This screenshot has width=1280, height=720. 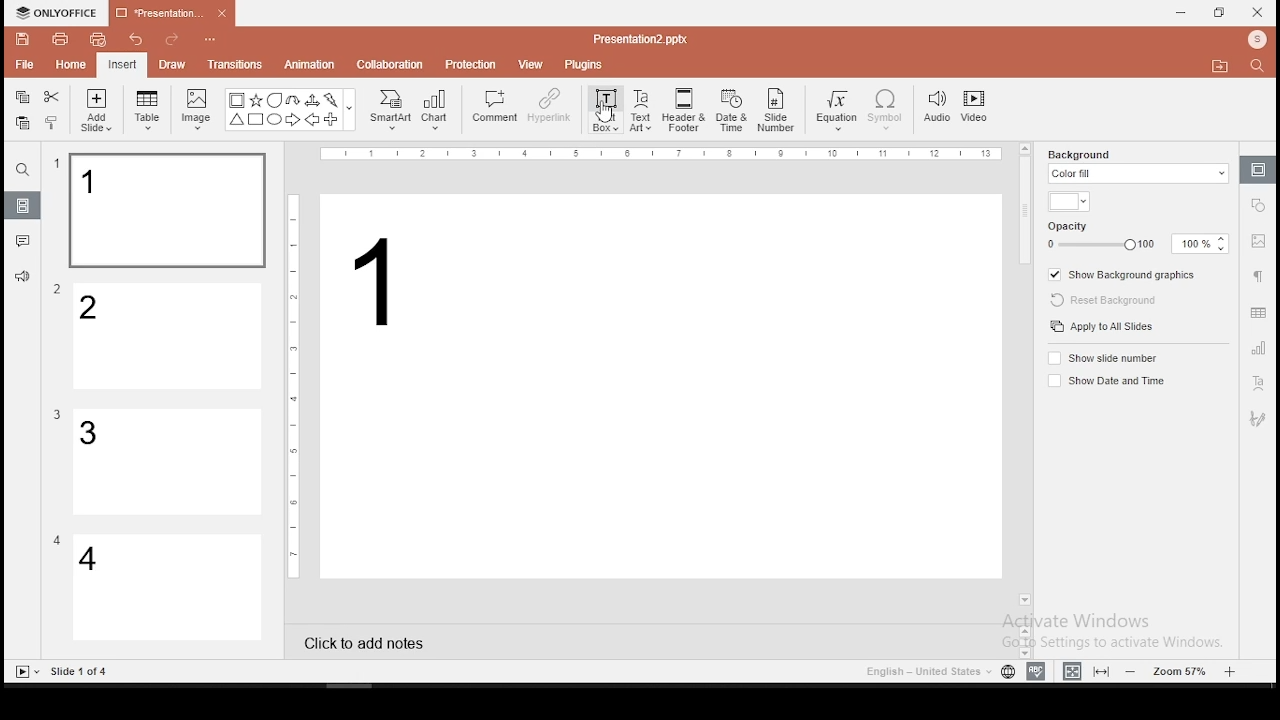 What do you see at coordinates (1136, 164) in the screenshot?
I see `background fill` at bounding box center [1136, 164].